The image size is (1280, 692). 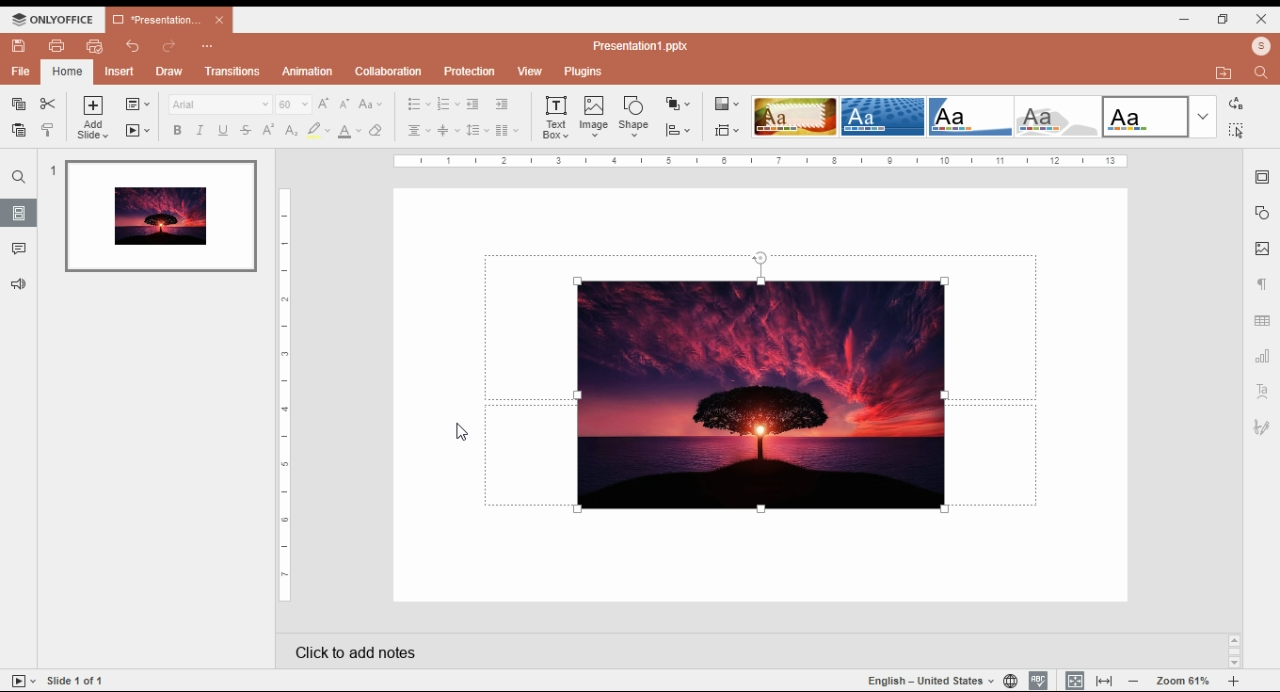 I want to click on arrange shapes, so click(x=679, y=105).